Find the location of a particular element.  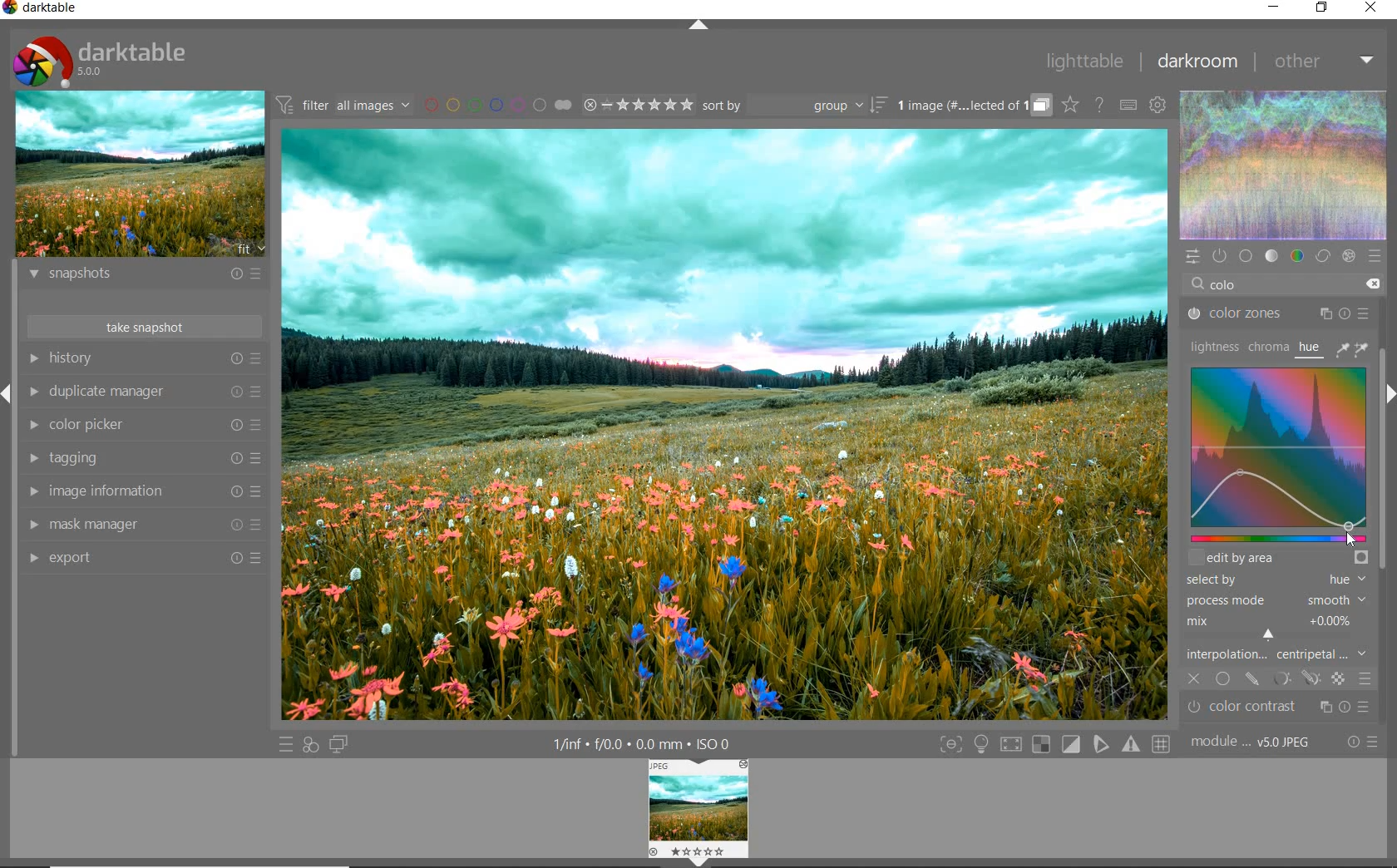

expand/collapse is located at coordinates (701, 26).